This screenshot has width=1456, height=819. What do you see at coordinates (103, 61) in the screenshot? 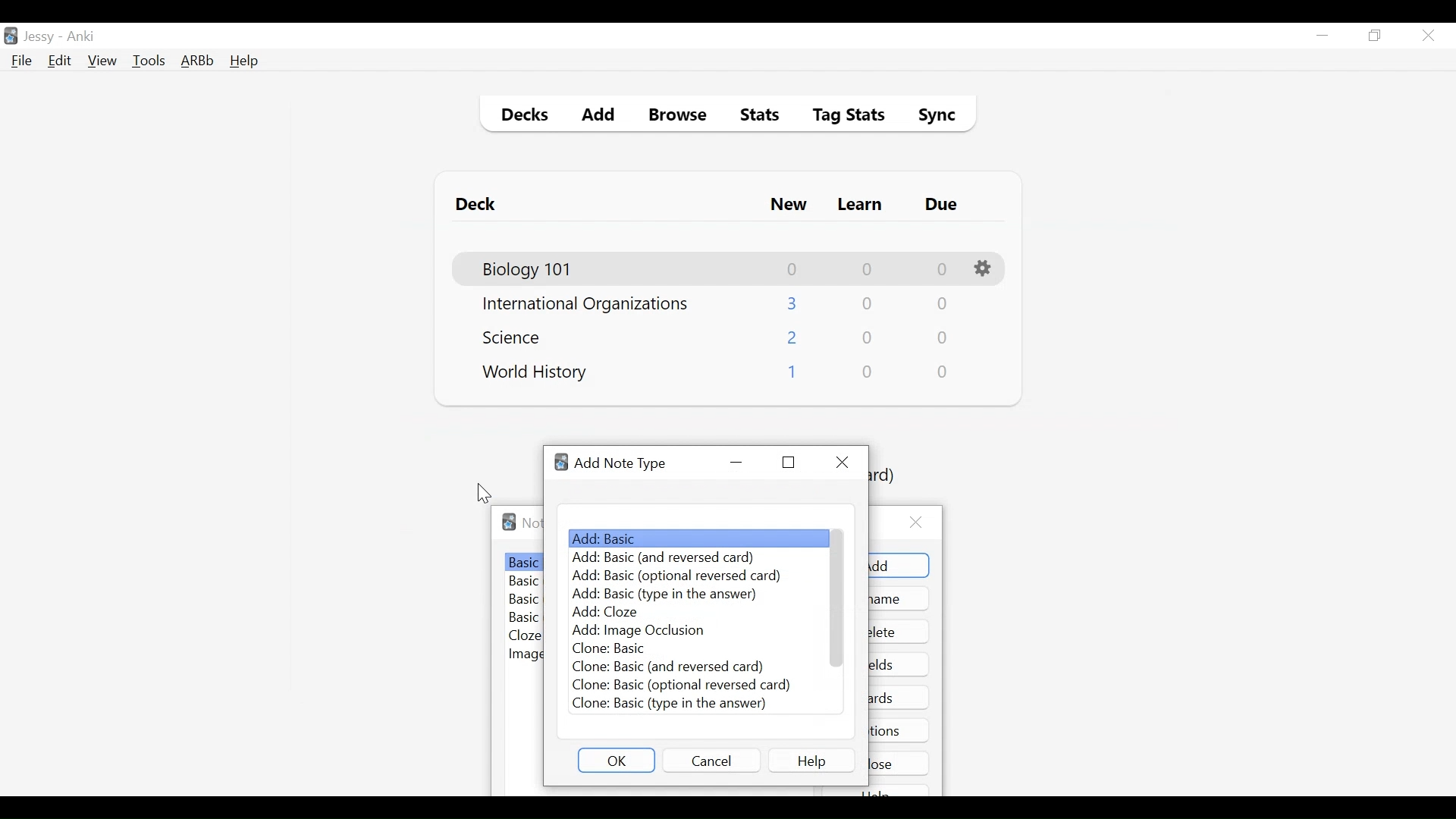
I see `View` at bounding box center [103, 61].